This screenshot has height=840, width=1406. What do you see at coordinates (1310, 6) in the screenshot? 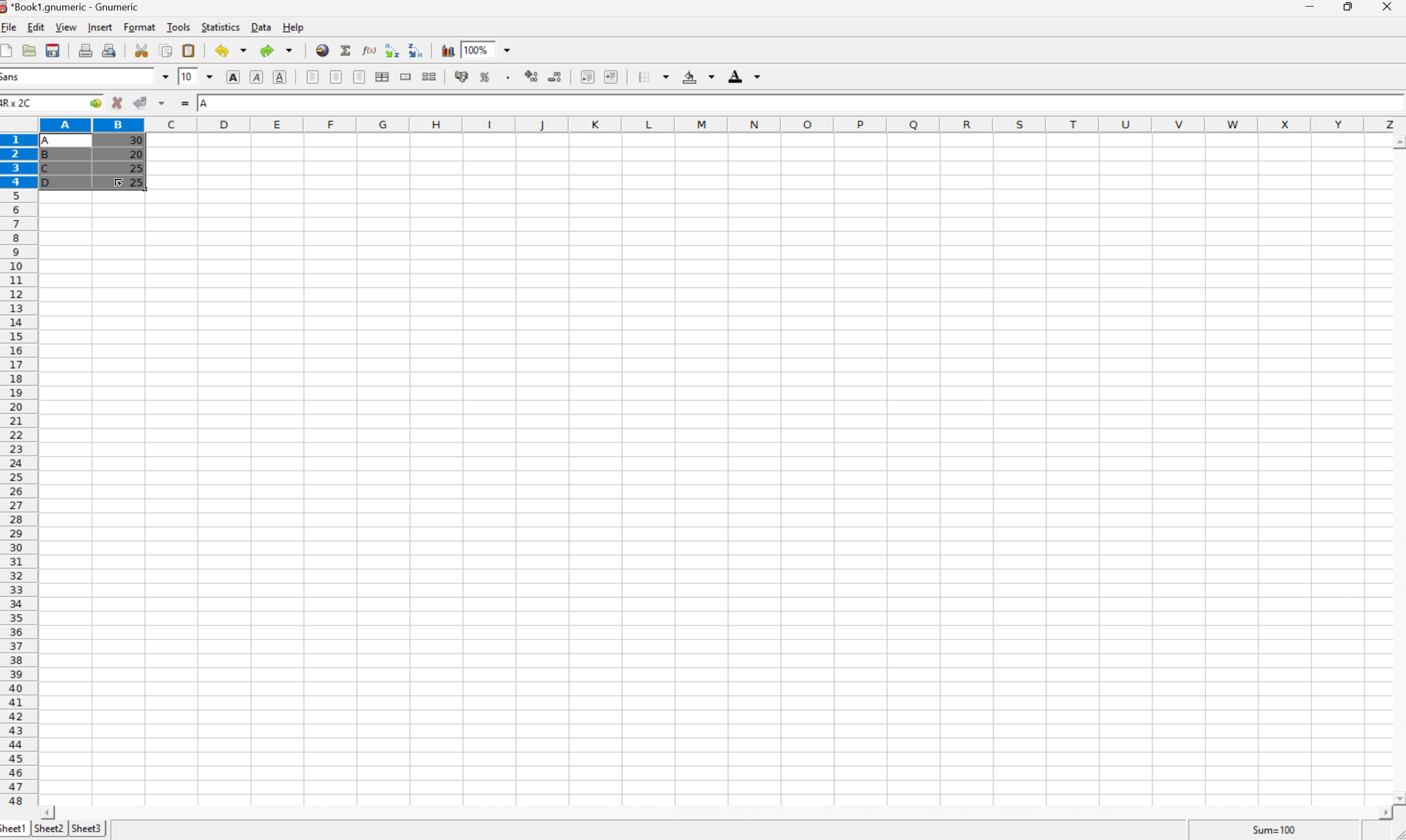
I see `Minimize` at bounding box center [1310, 6].